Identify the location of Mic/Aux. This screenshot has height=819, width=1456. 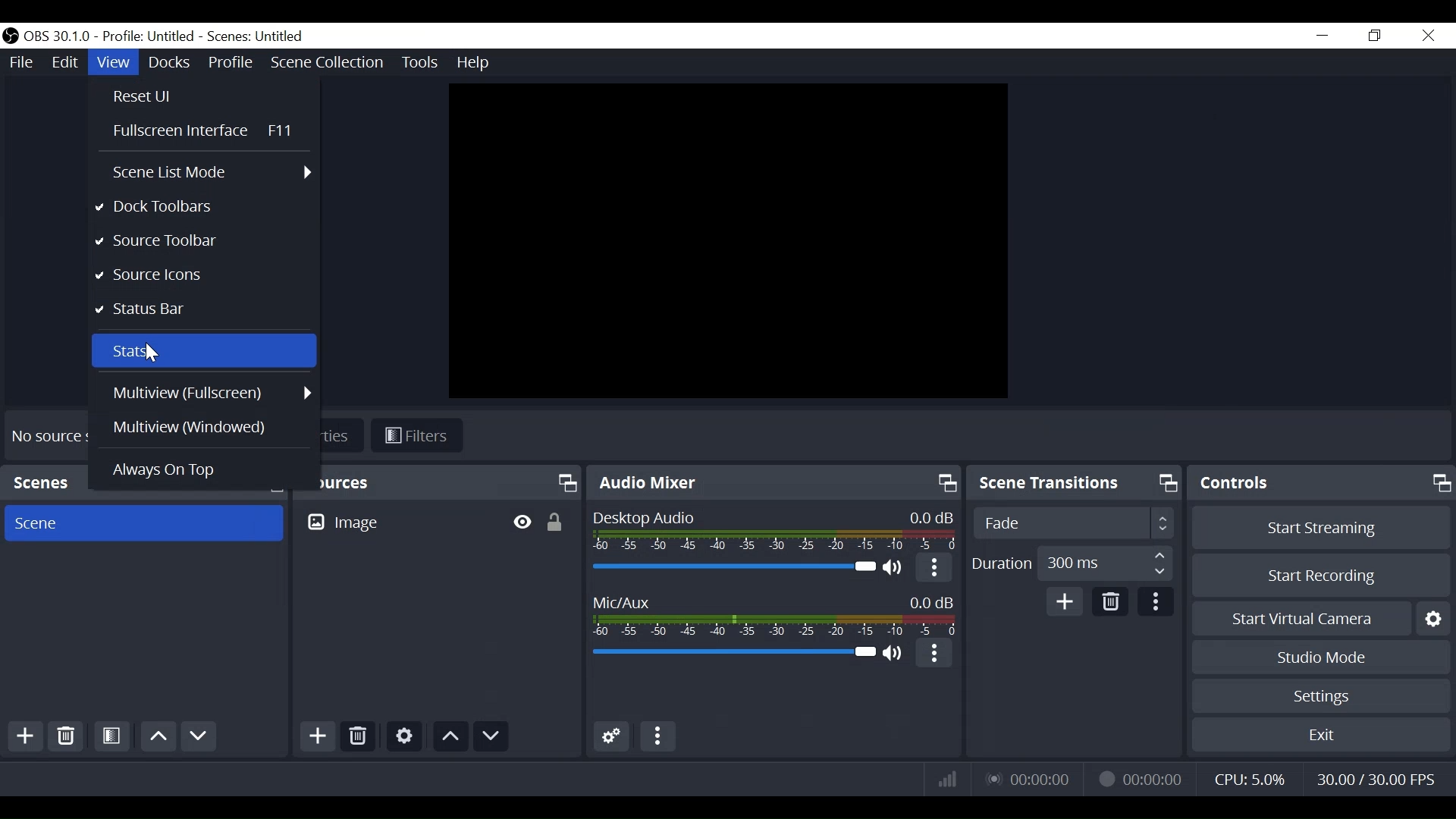
(776, 613).